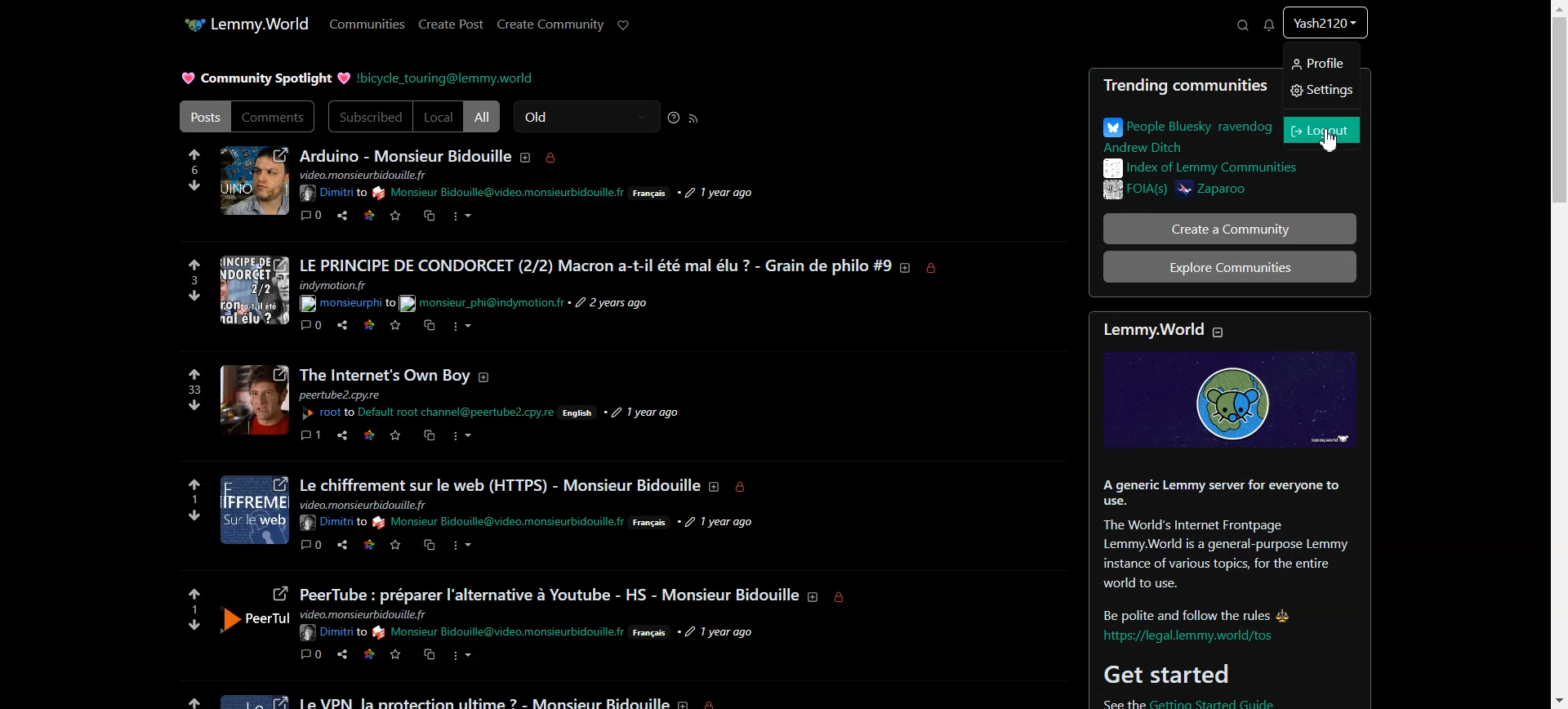 This screenshot has width=1568, height=709. Describe the element at coordinates (1187, 132) in the screenshot. I see `People Bluesky` at that location.